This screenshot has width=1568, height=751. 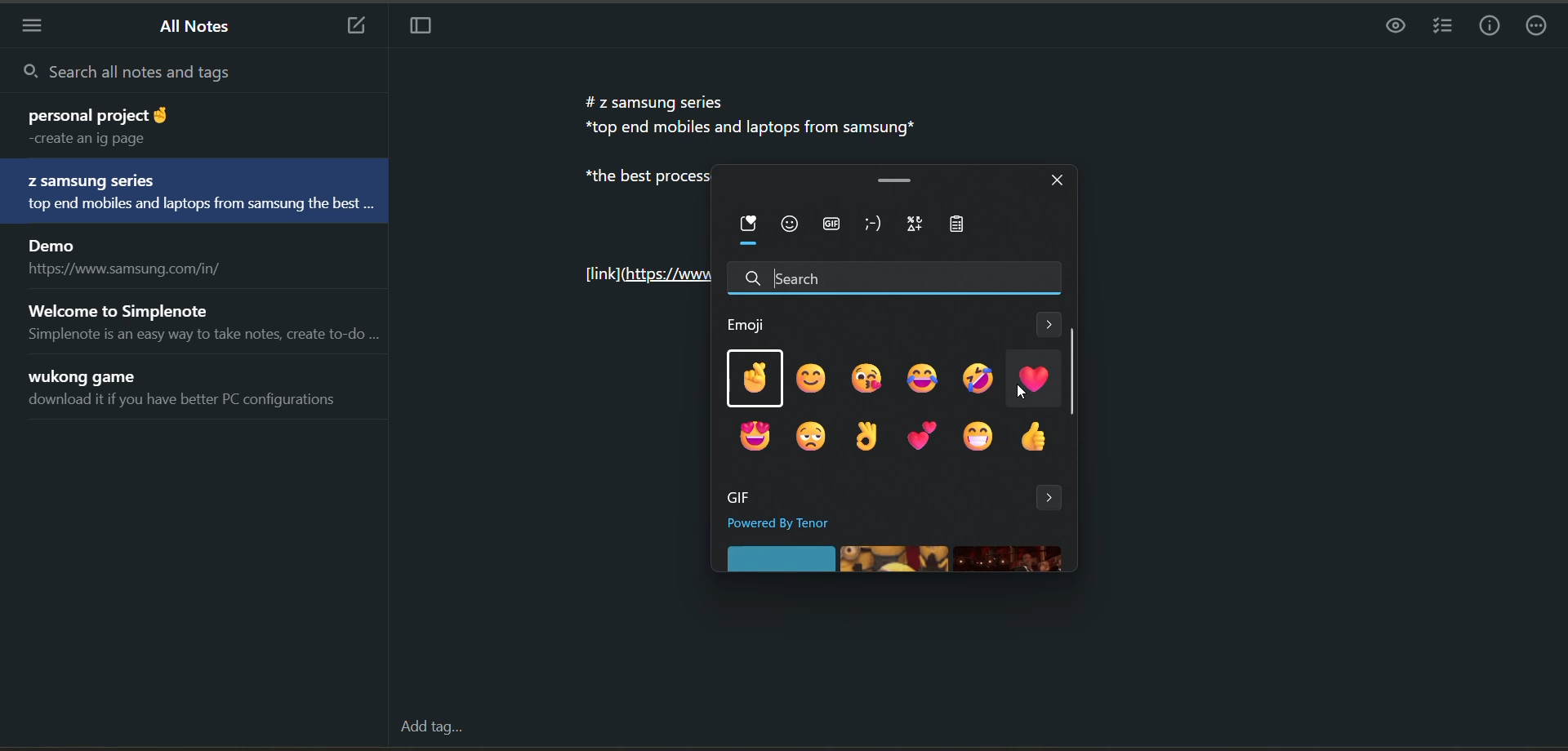 I want to click on see more, so click(x=1049, y=327).